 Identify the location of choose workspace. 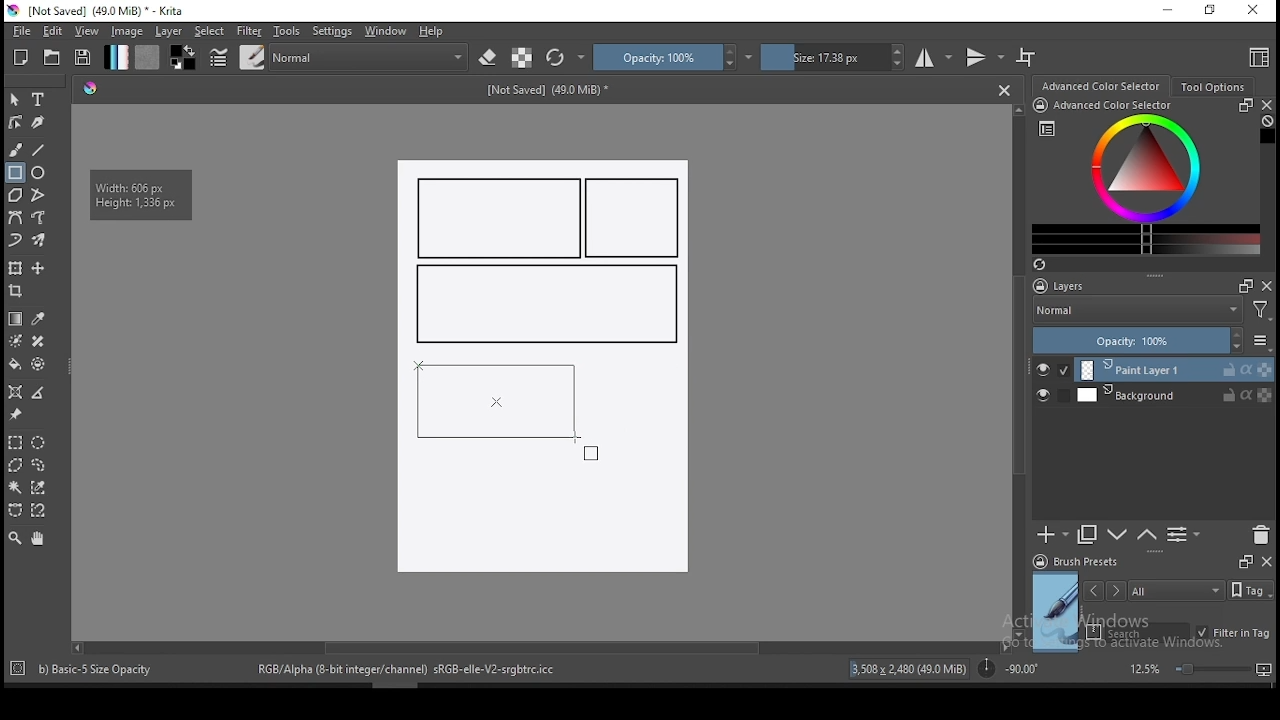
(1257, 57).